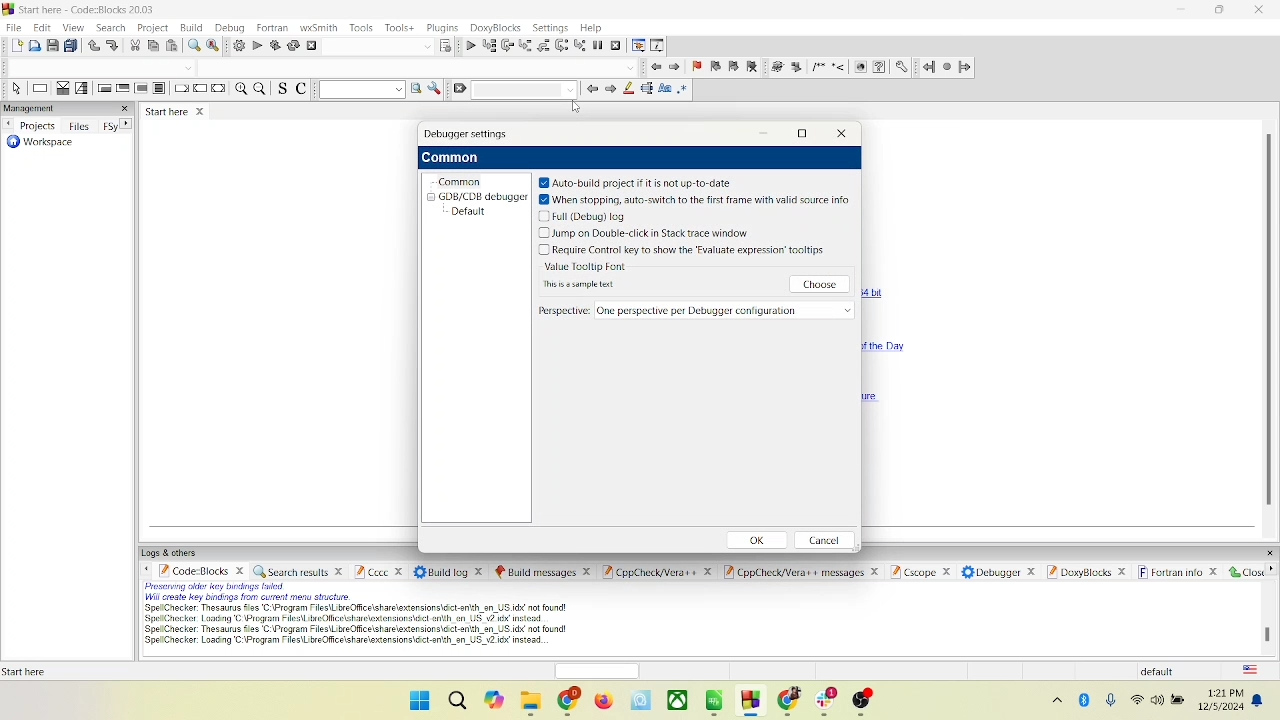 The width and height of the screenshot is (1280, 720). What do you see at coordinates (599, 45) in the screenshot?
I see `break debugger` at bounding box center [599, 45].